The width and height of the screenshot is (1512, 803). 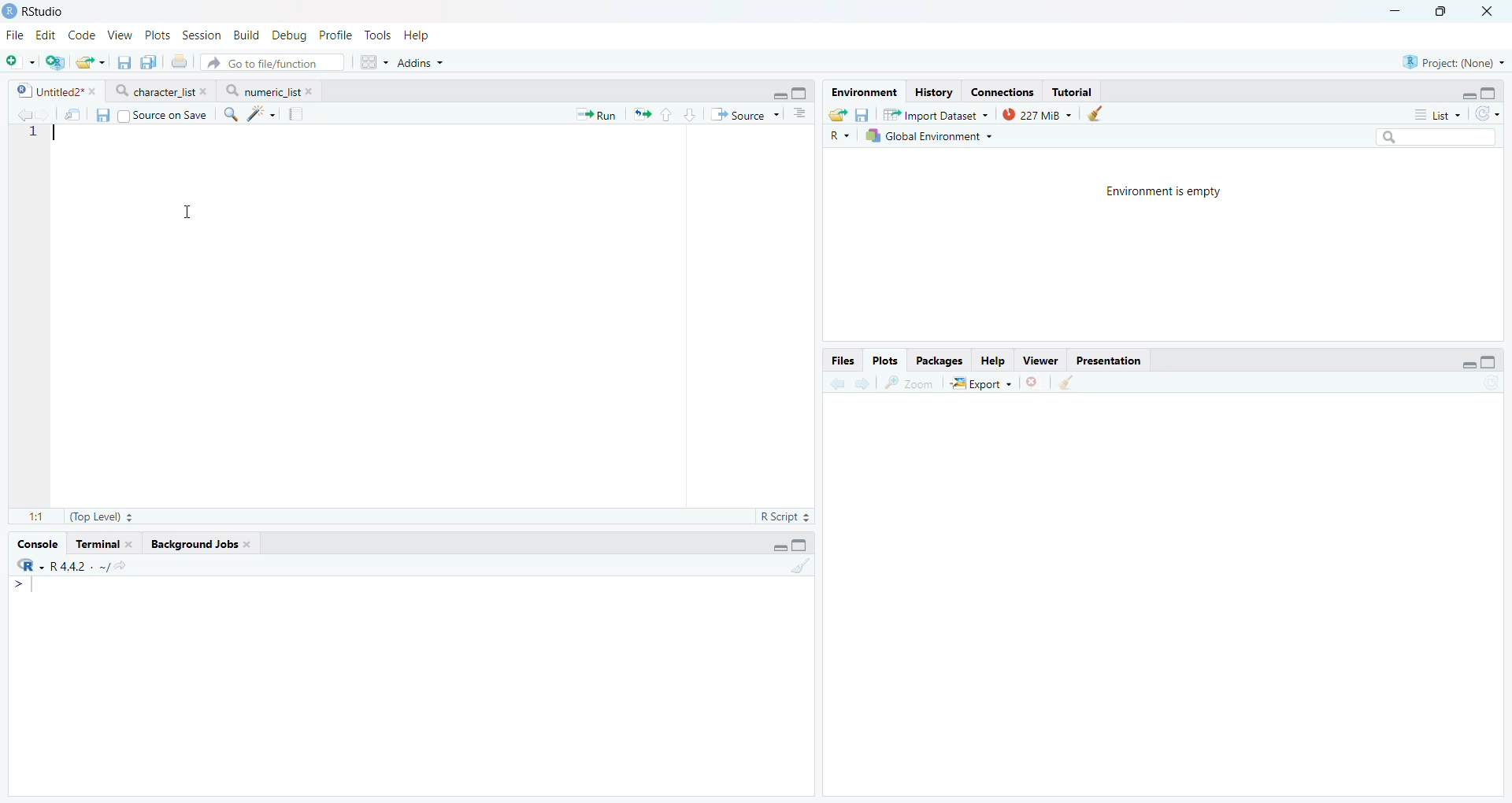 What do you see at coordinates (100, 516) in the screenshot?
I see `(Top Level)` at bounding box center [100, 516].